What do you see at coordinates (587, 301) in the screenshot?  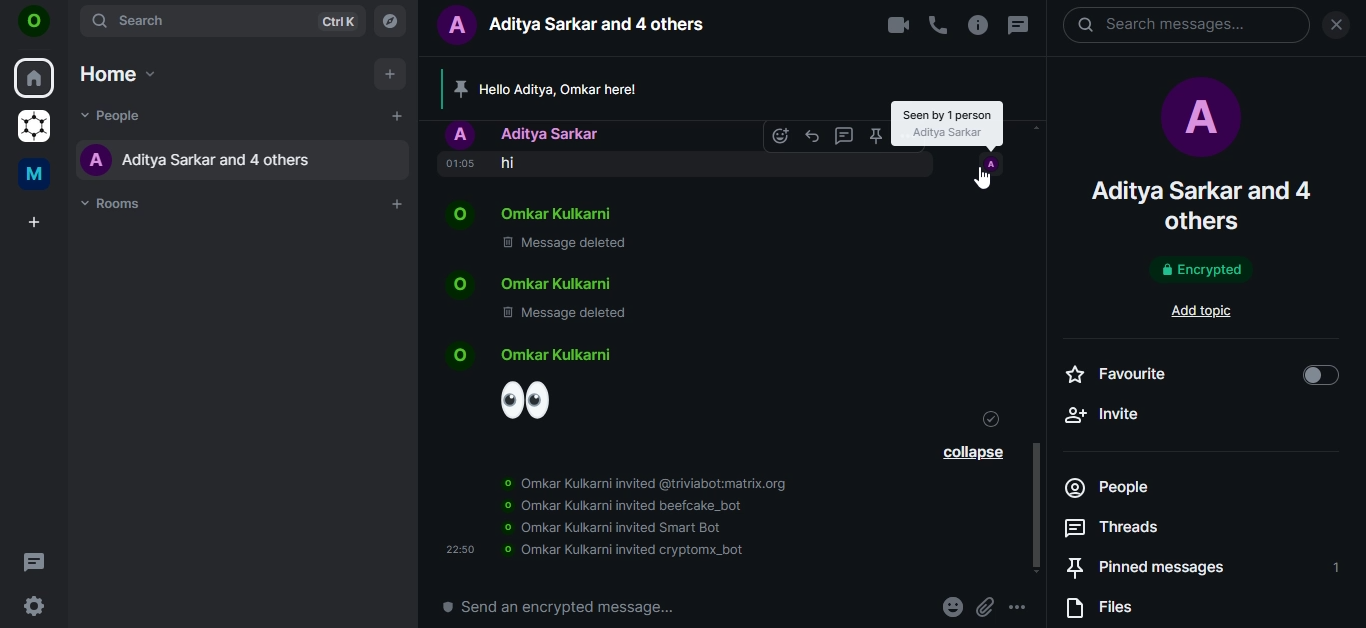 I see ` chat messages` at bounding box center [587, 301].